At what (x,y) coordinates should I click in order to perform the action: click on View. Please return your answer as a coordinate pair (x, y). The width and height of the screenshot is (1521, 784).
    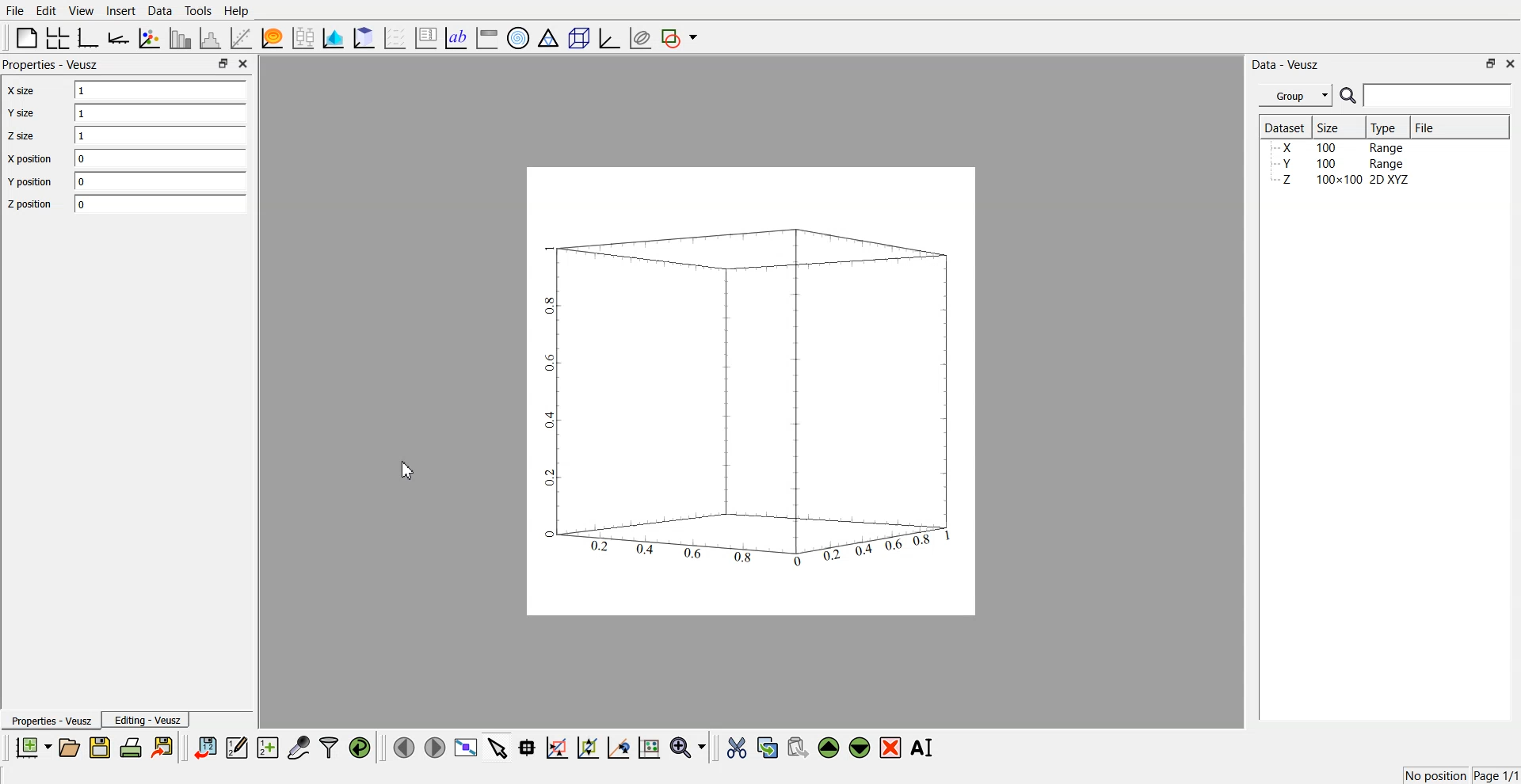
    Looking at the image, I should click on (82, 11).